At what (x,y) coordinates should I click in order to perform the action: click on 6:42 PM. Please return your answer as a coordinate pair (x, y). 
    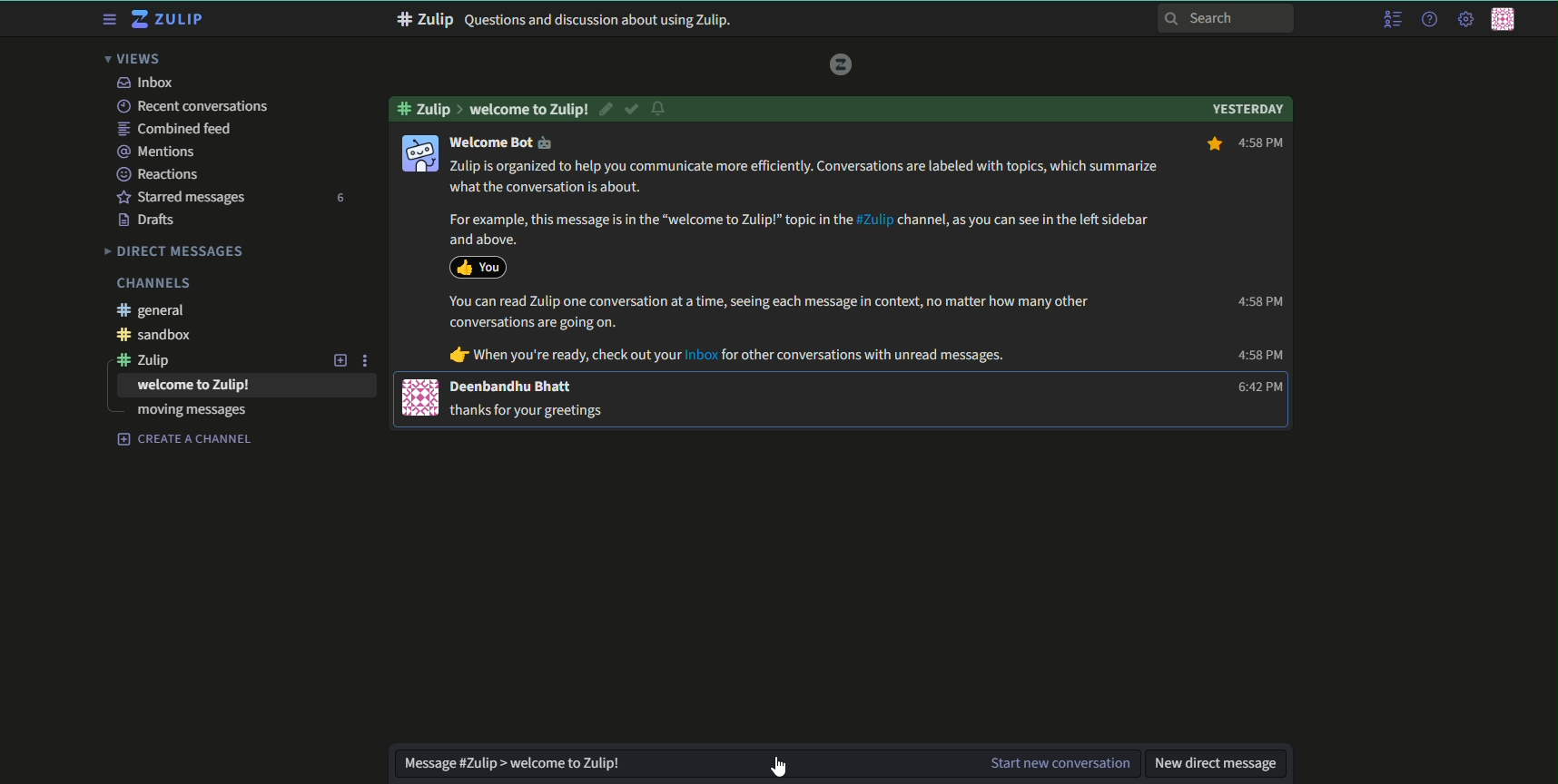
    Looking at the image, I should click on (1255, 387).